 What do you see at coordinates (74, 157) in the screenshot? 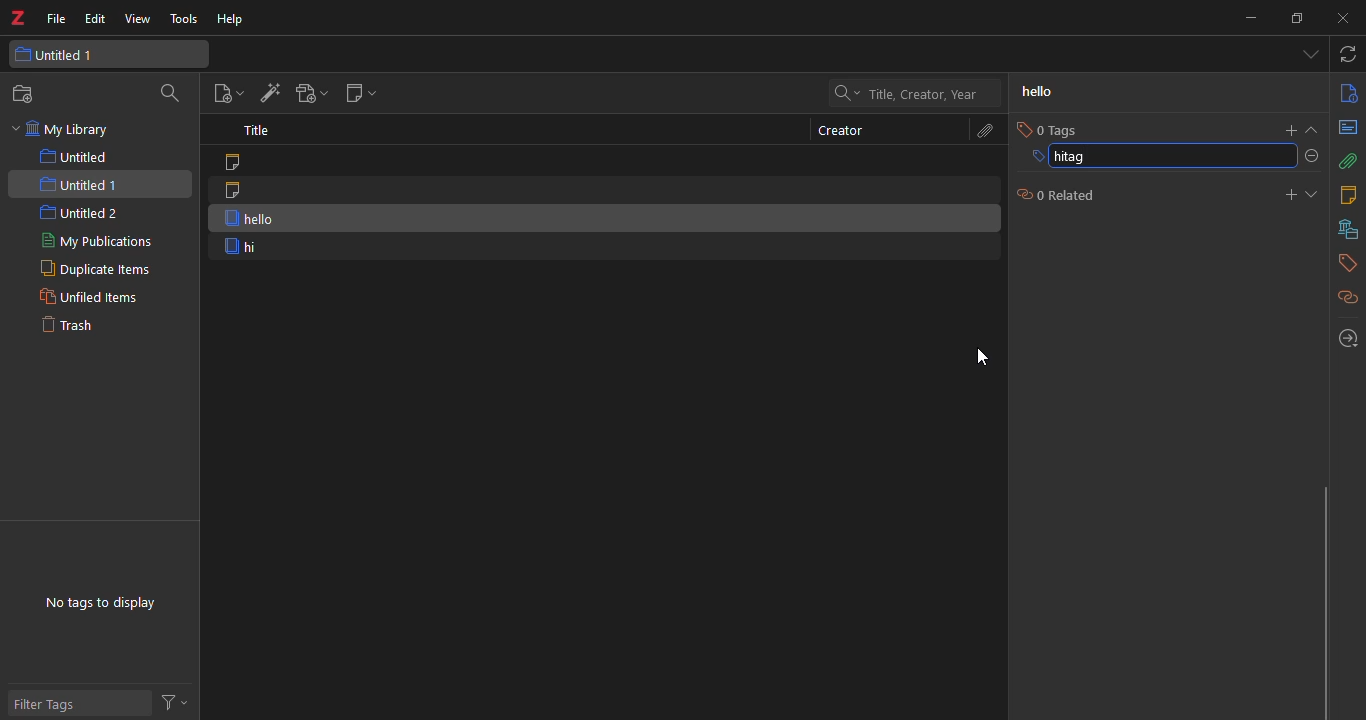
I see `untitled` at bounding box center [74, 157].